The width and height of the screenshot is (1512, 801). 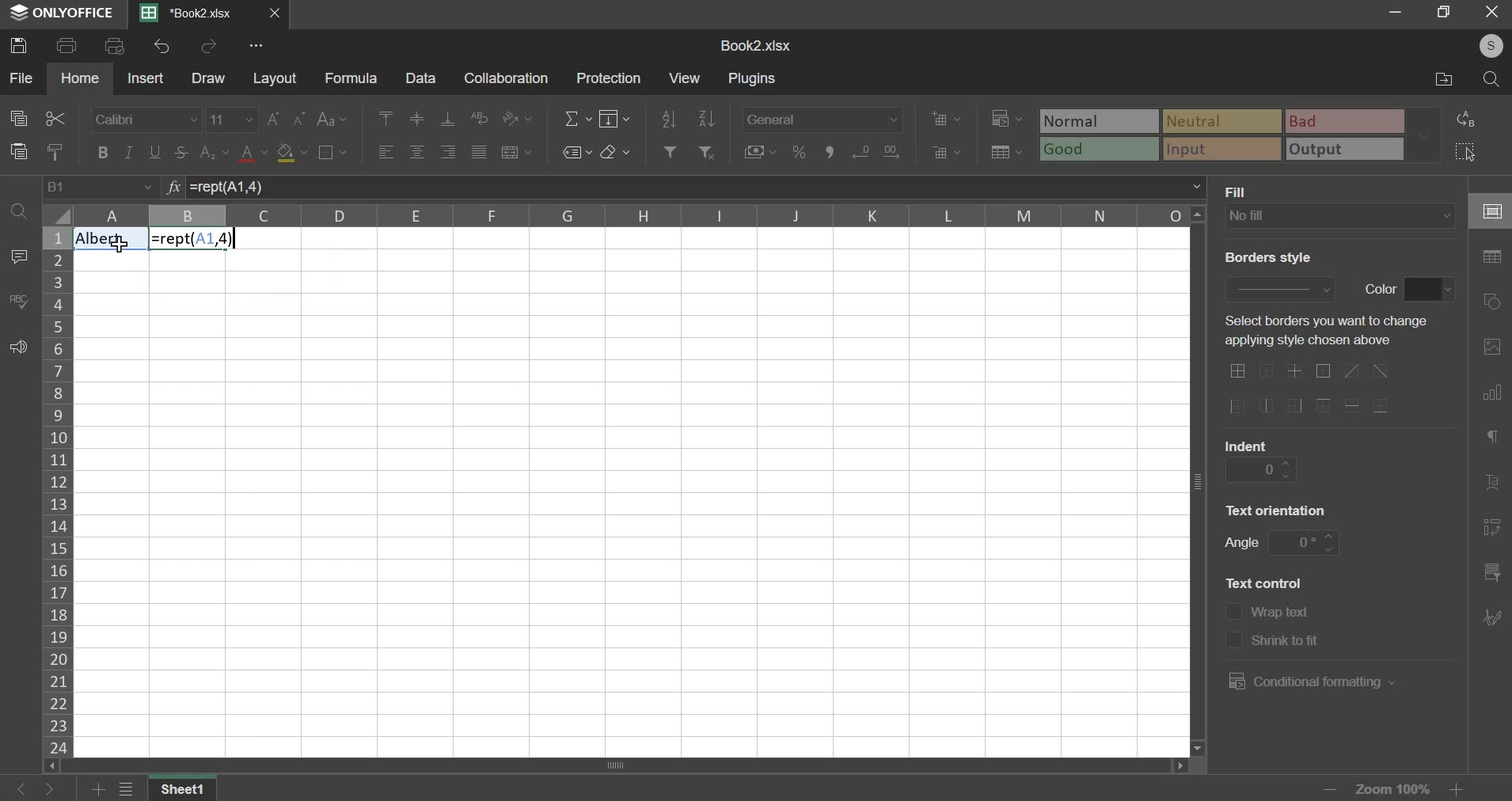 I want to click on insert, so click(x=145, y=78).